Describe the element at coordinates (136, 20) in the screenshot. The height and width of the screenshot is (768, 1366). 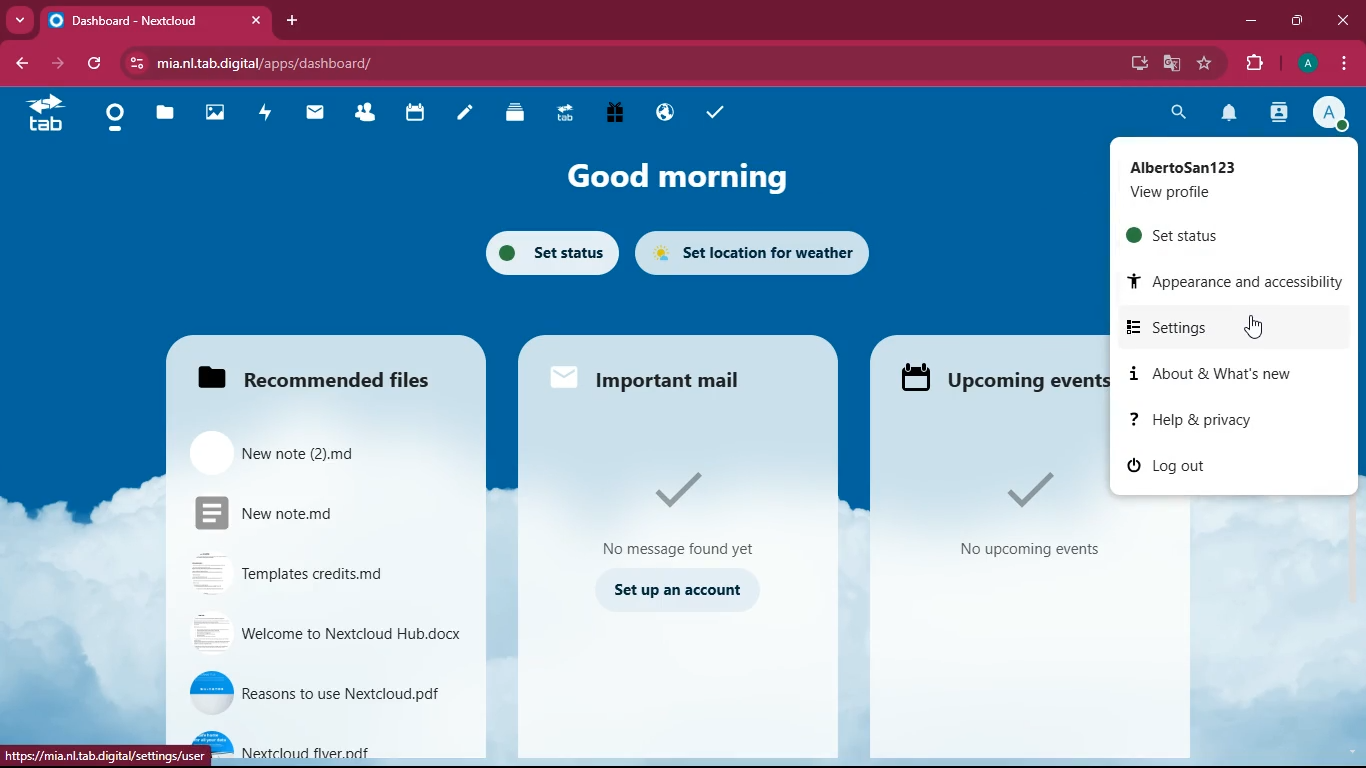
I see `Dashboard - Nextcloud` at that location.